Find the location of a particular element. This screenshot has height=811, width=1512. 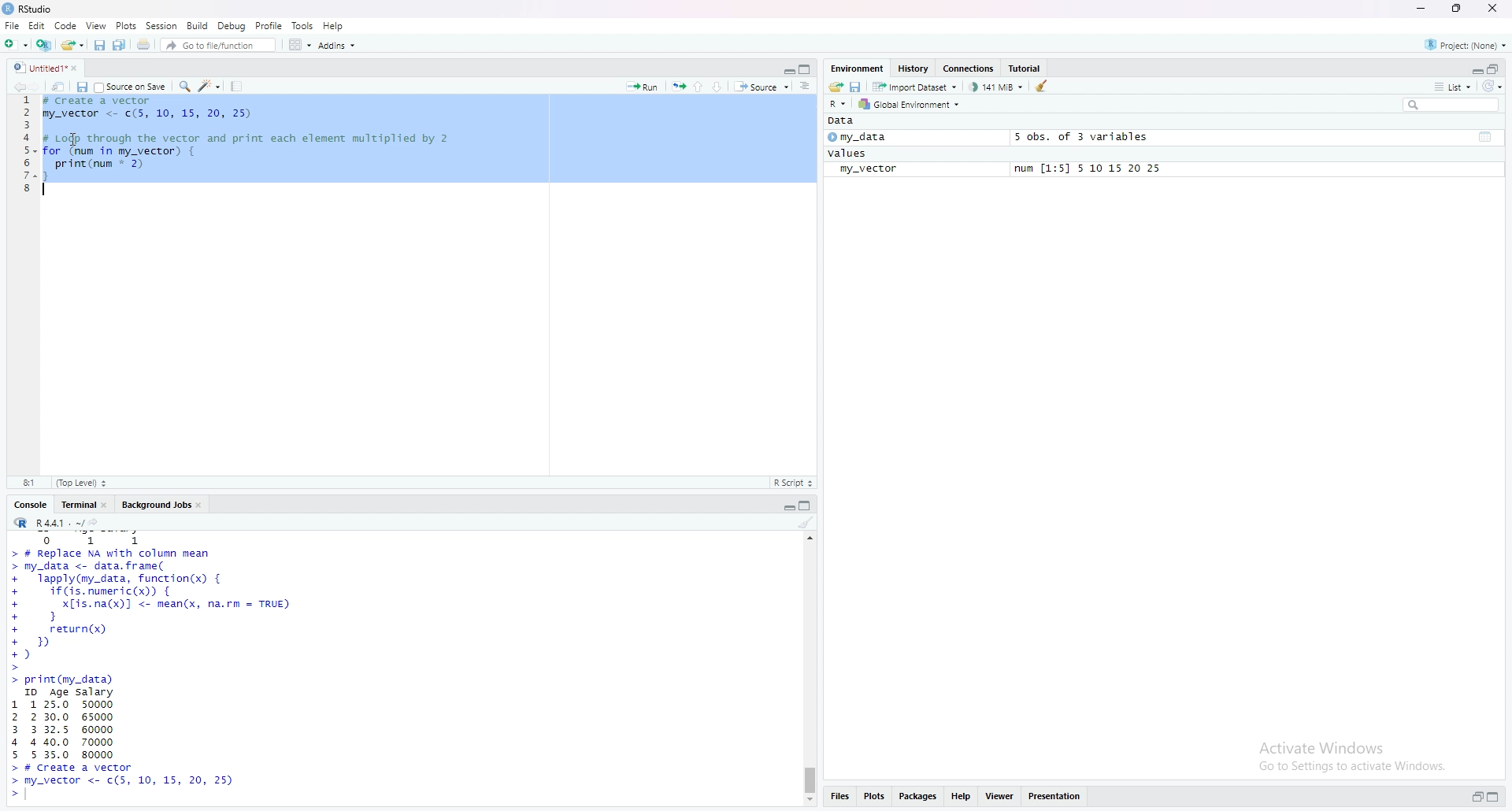

expand is located at coordinates (788, 507).